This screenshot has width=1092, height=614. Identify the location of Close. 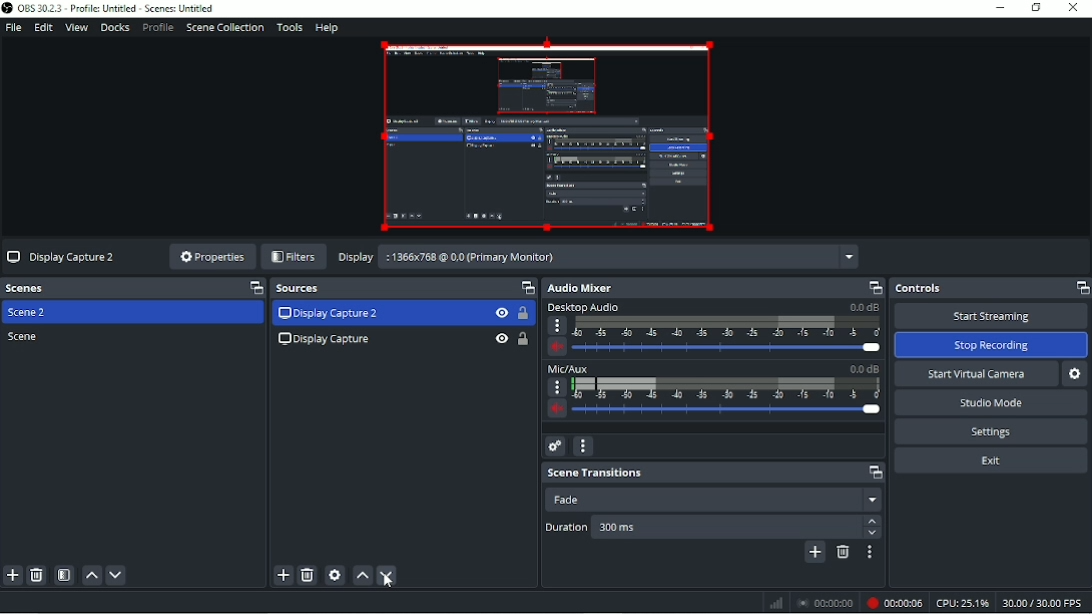
(1073, 9).